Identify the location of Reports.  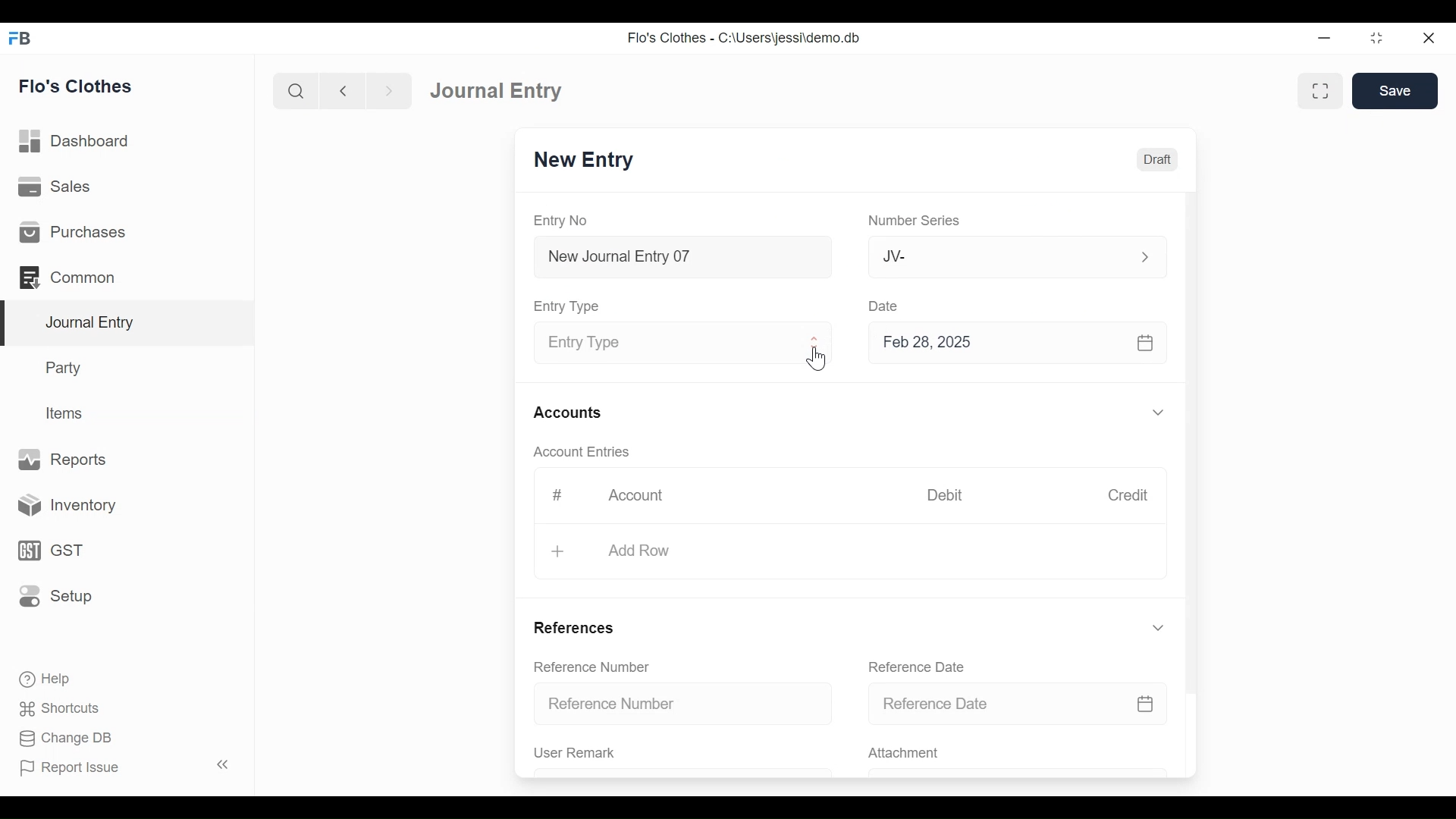
(64, 458).